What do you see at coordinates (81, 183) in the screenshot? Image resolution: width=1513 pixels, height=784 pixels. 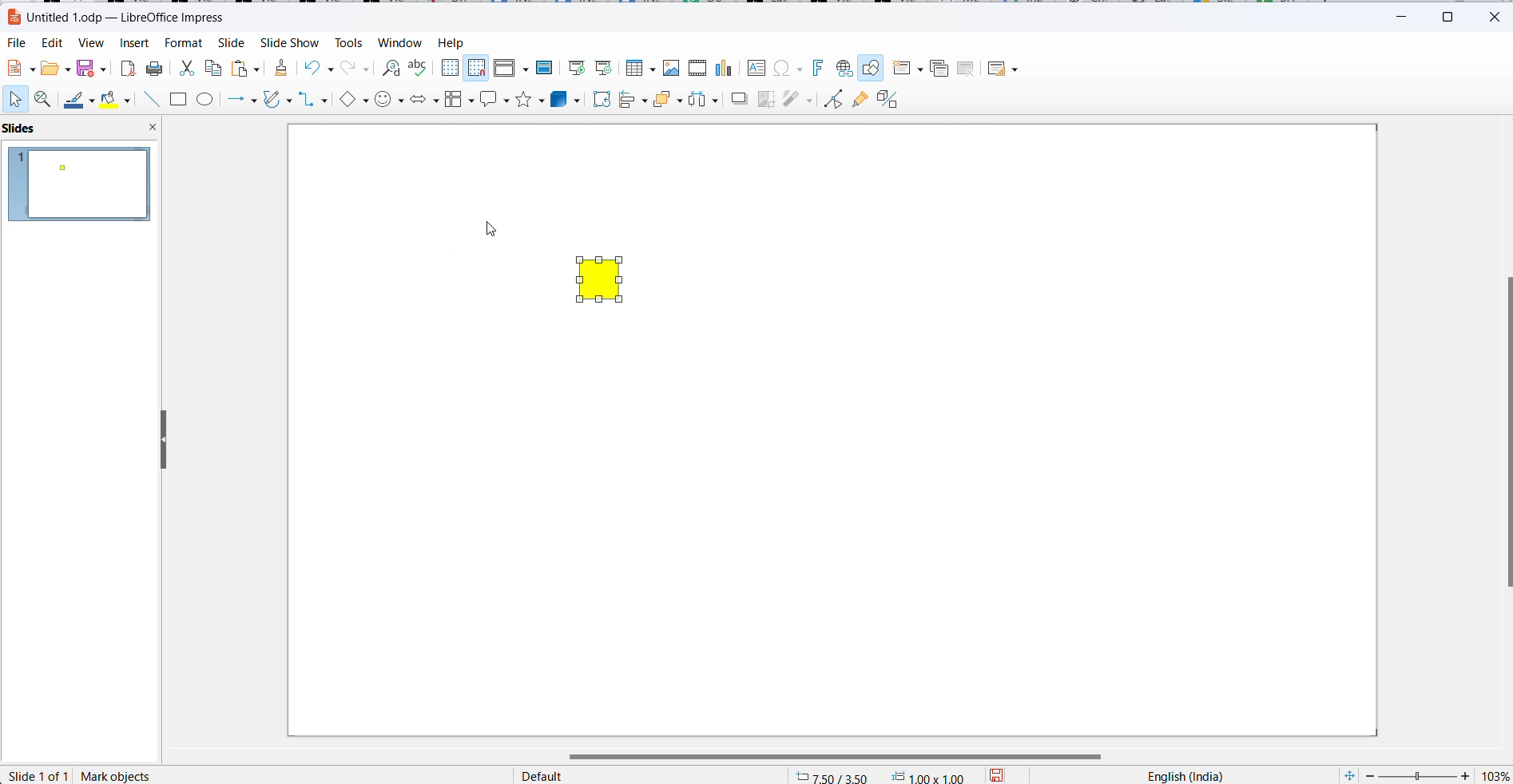 I see `slide preview` at bounding box center [81, 183].